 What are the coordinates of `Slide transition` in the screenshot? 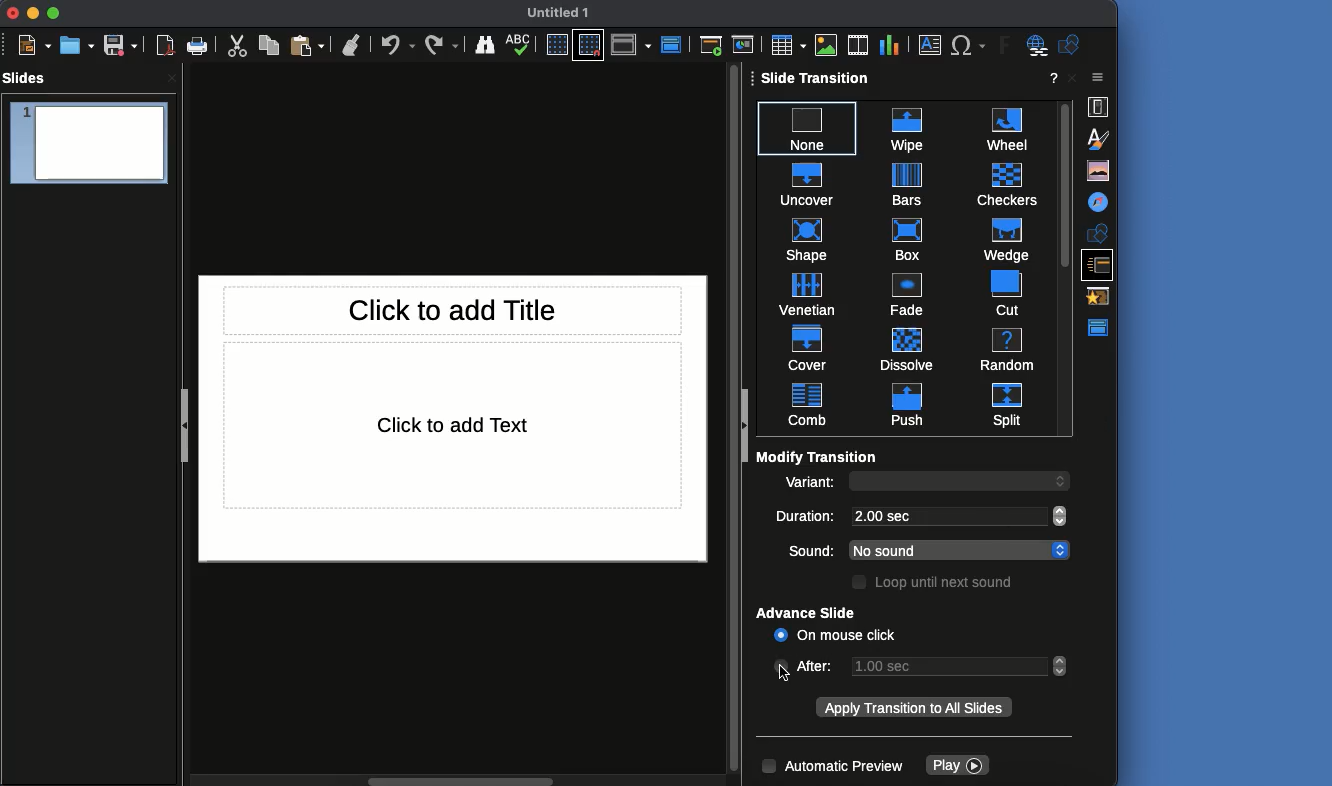 It's located at (817, 78).